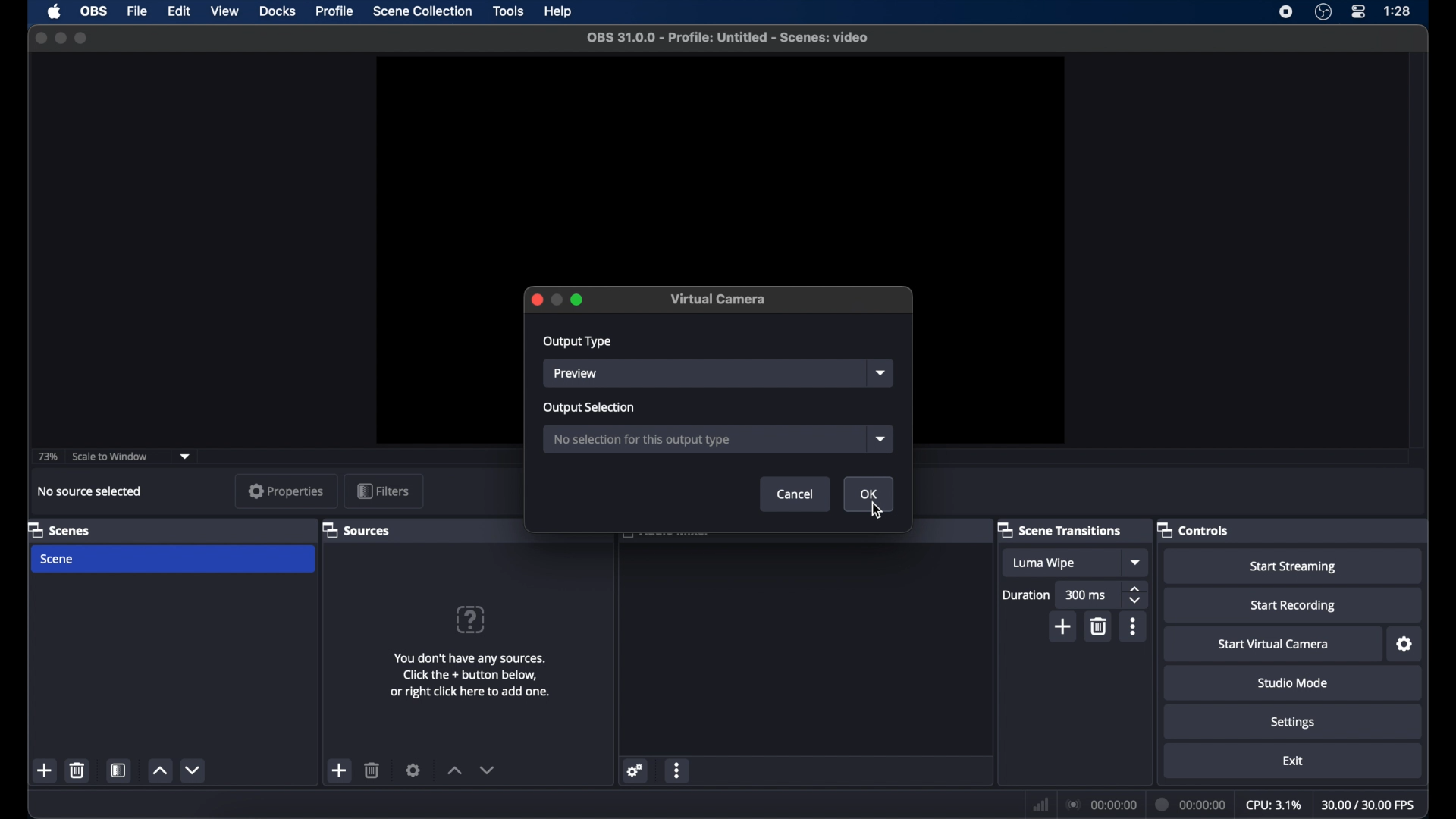  I want to click on cursor, so click(878, 510).